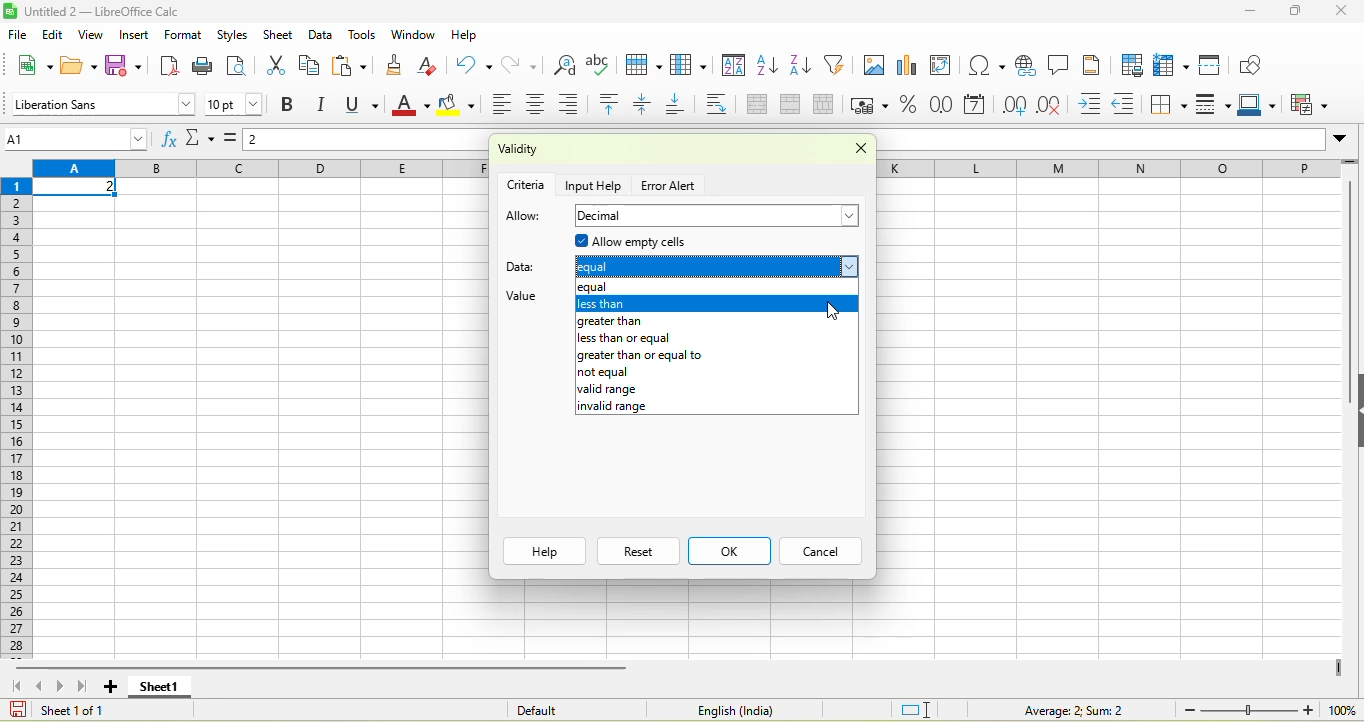 The height and width of the screenshot is (722, 1364). Describe the element at coordinates (127, 66) in the screenshot. I see `save` at that location.